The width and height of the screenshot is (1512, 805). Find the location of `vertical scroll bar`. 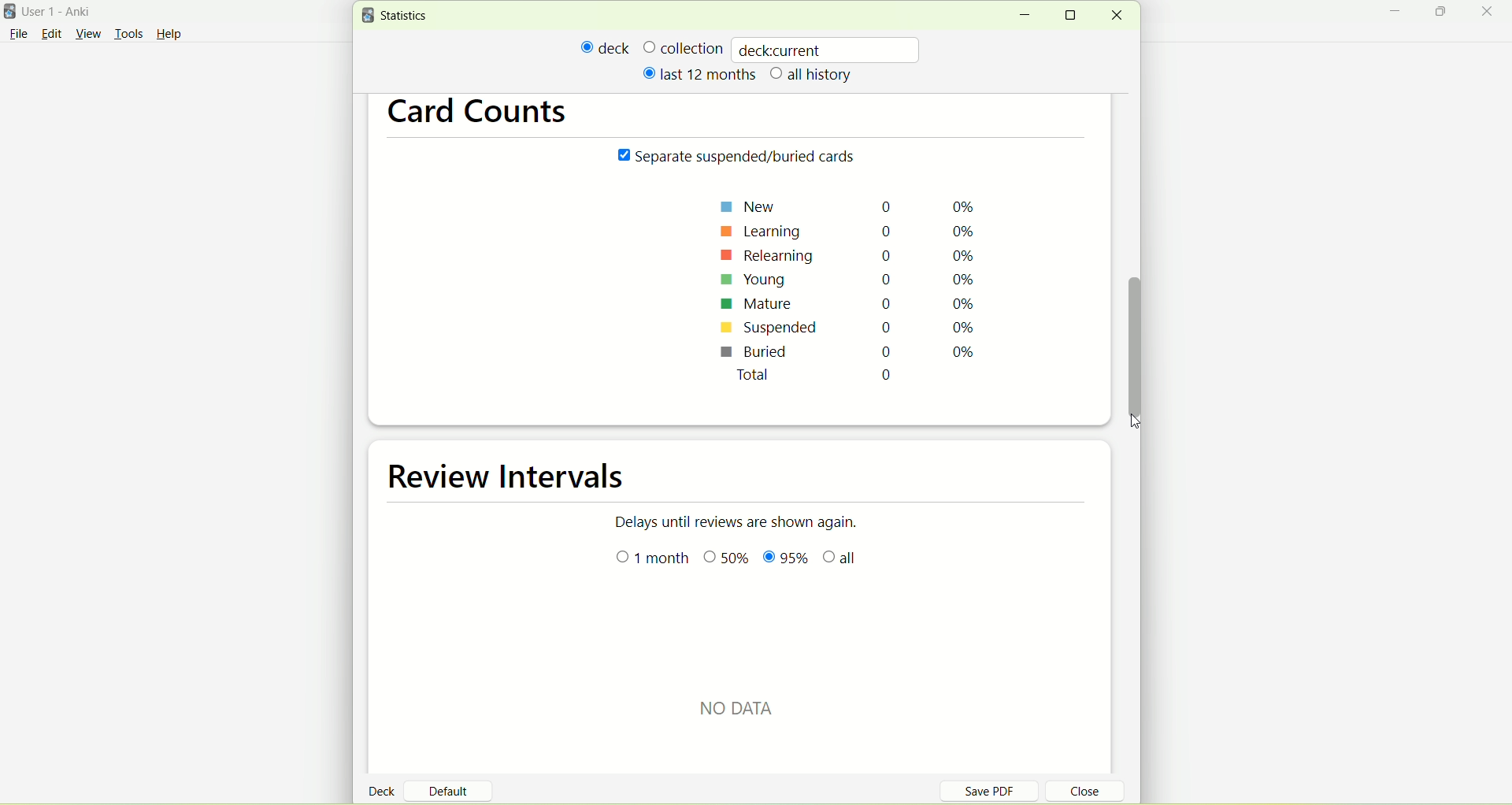

vertical scroll bar is located at coordinates (1138, 342).